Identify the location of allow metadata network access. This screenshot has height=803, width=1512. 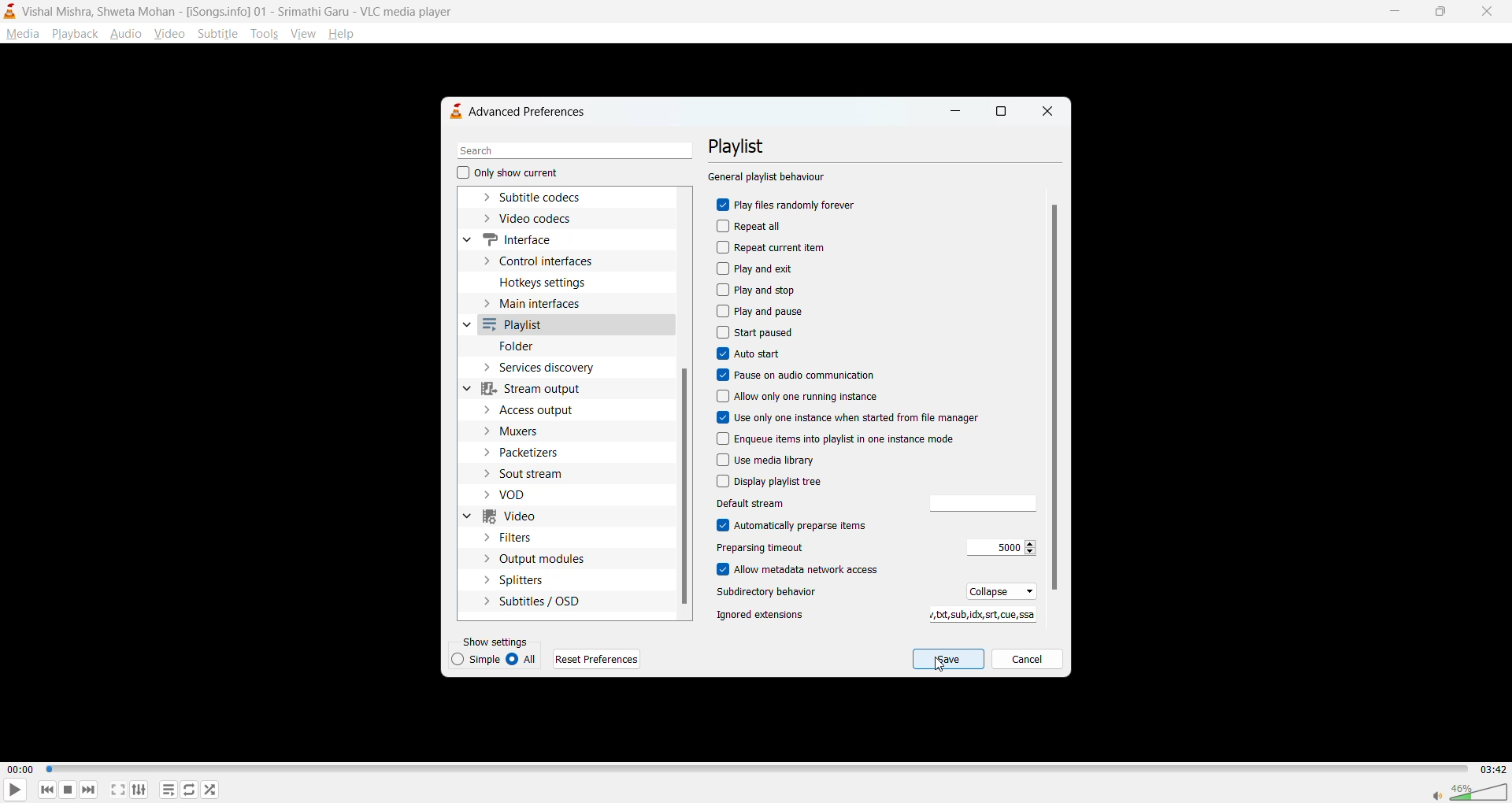
(810, 571).